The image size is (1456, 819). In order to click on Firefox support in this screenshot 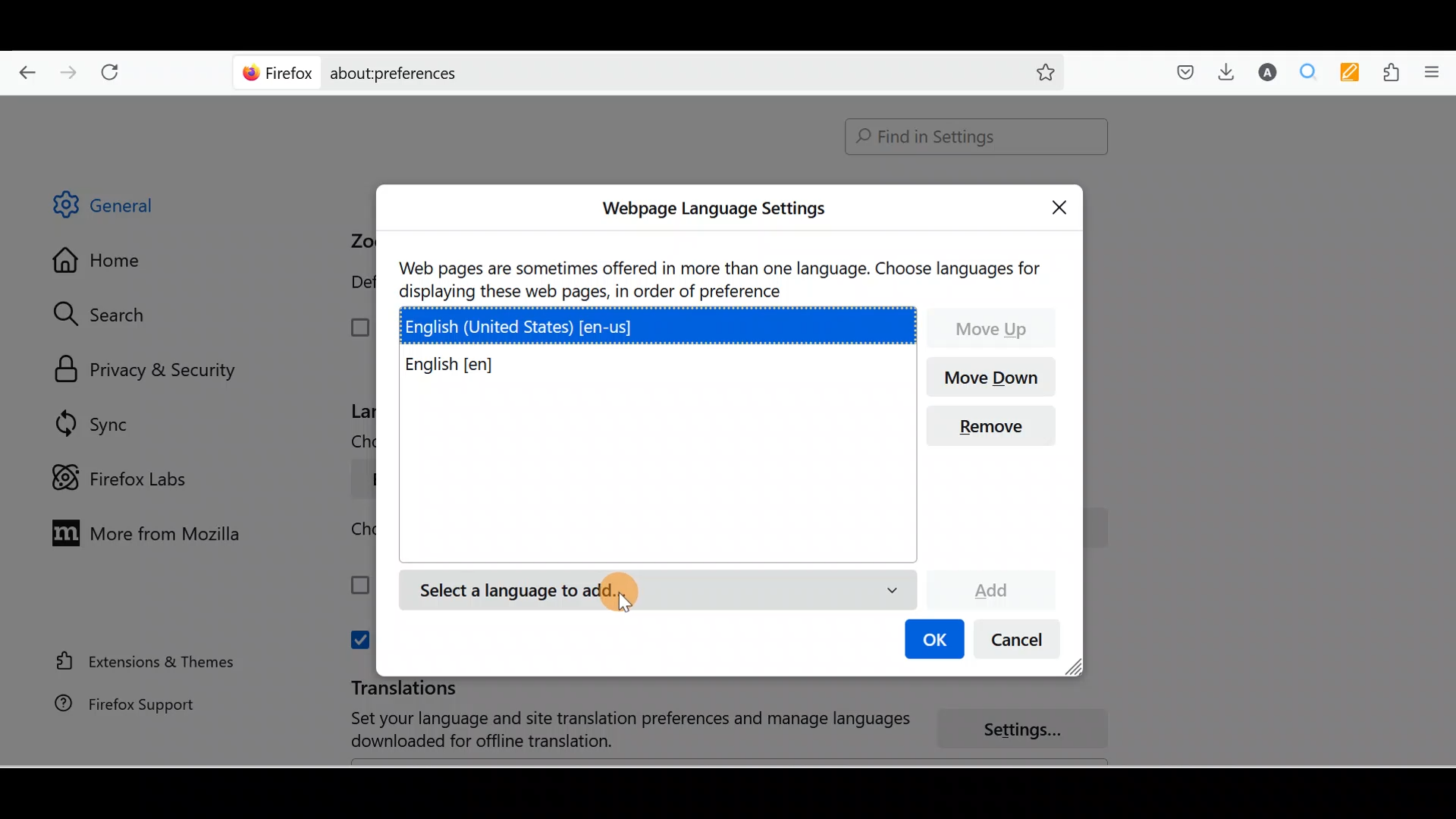, I will do `click(115, 704)`.